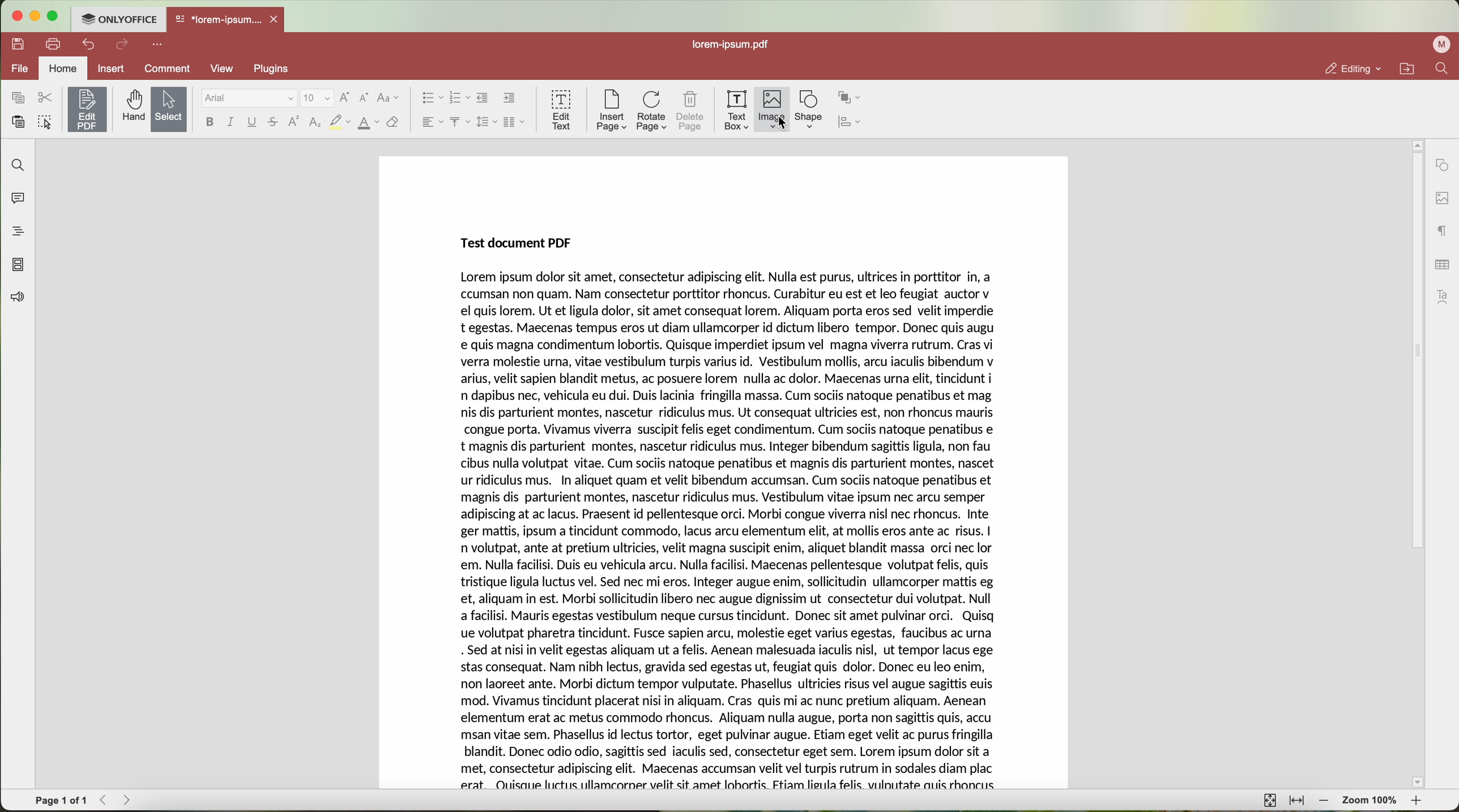 The height and width of the screenshot is (812, 1459). Describe the element at coordinates (278, 69) in the screenshot. I see `plugins` at that location.